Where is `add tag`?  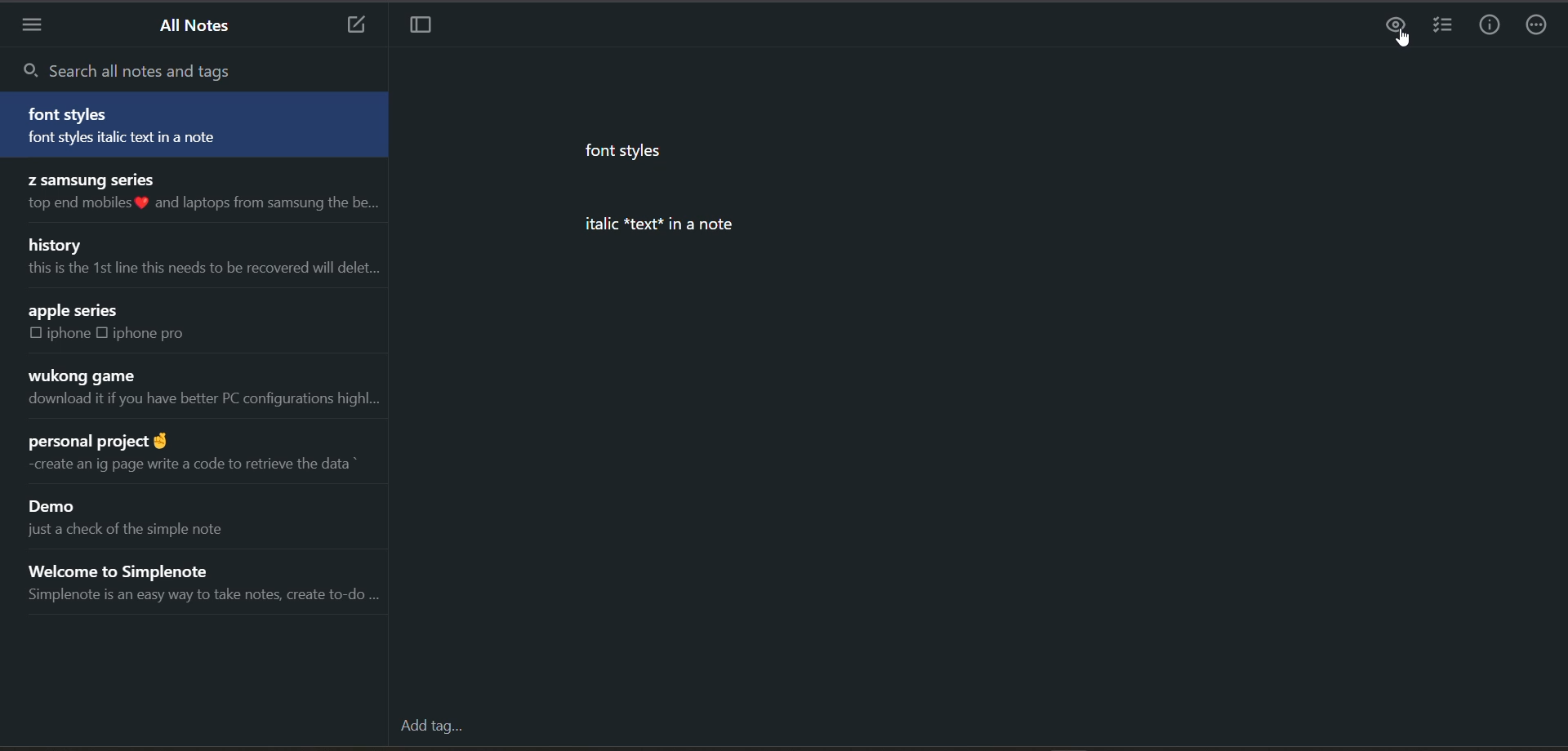
add tag is located at coordinates (434, 725).